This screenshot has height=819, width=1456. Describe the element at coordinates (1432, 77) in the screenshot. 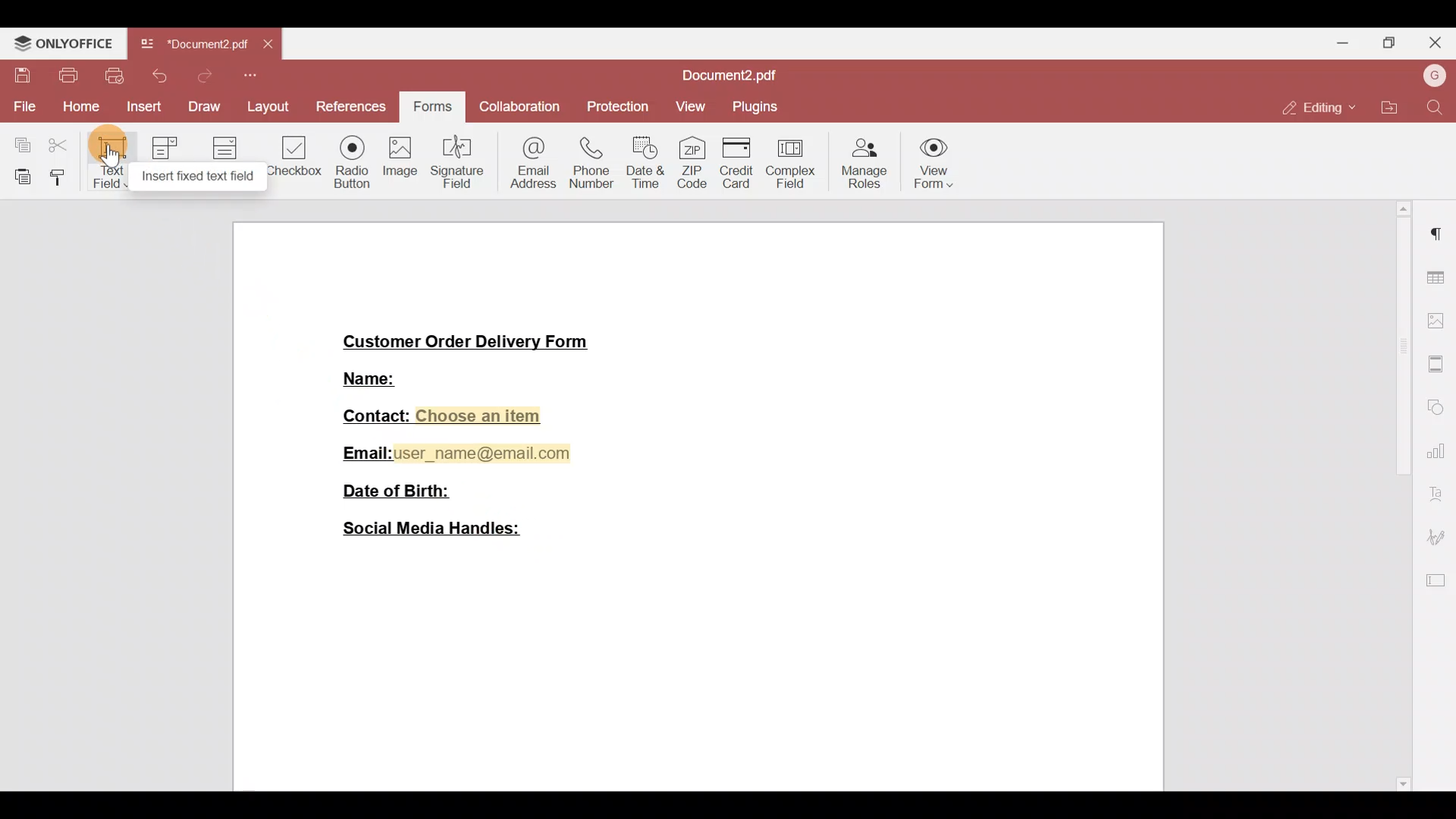

I see `Username` at that location.